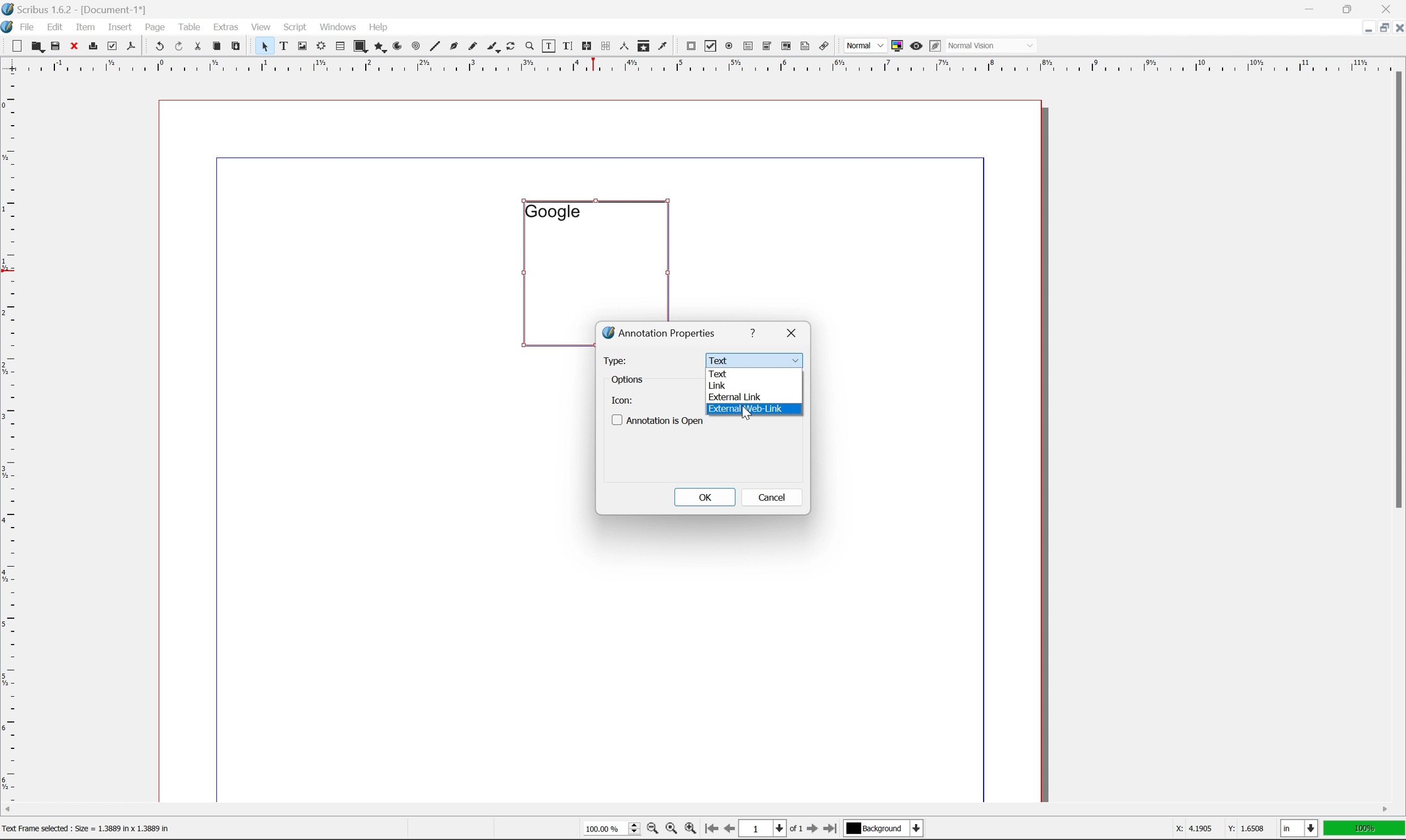  What do you see at coordinates (809, 830) in the screenshot?
I see `go to next page` at bounding box center [809, 830].